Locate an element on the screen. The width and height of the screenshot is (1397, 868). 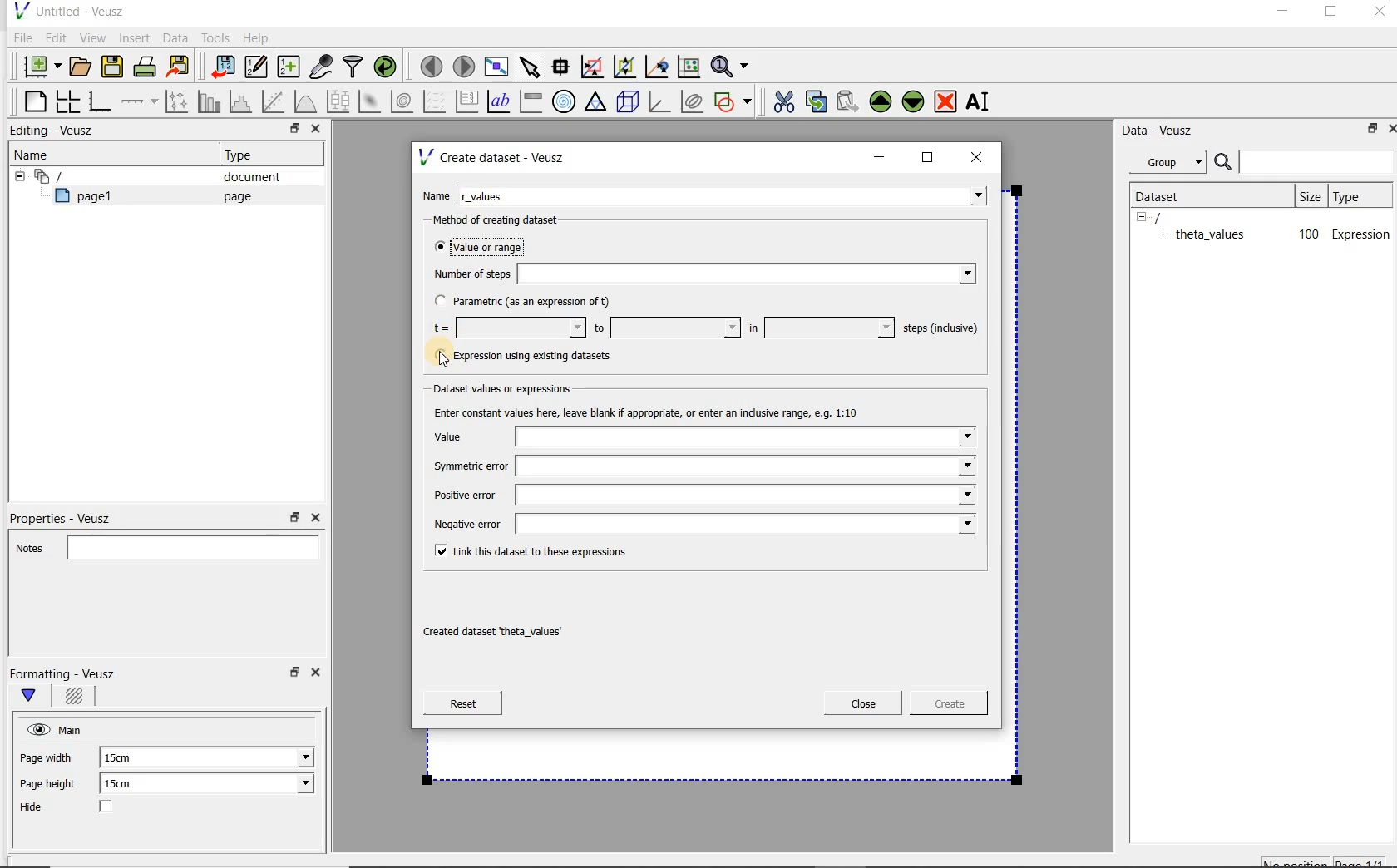
No position is located at coordinates (1297, 861).